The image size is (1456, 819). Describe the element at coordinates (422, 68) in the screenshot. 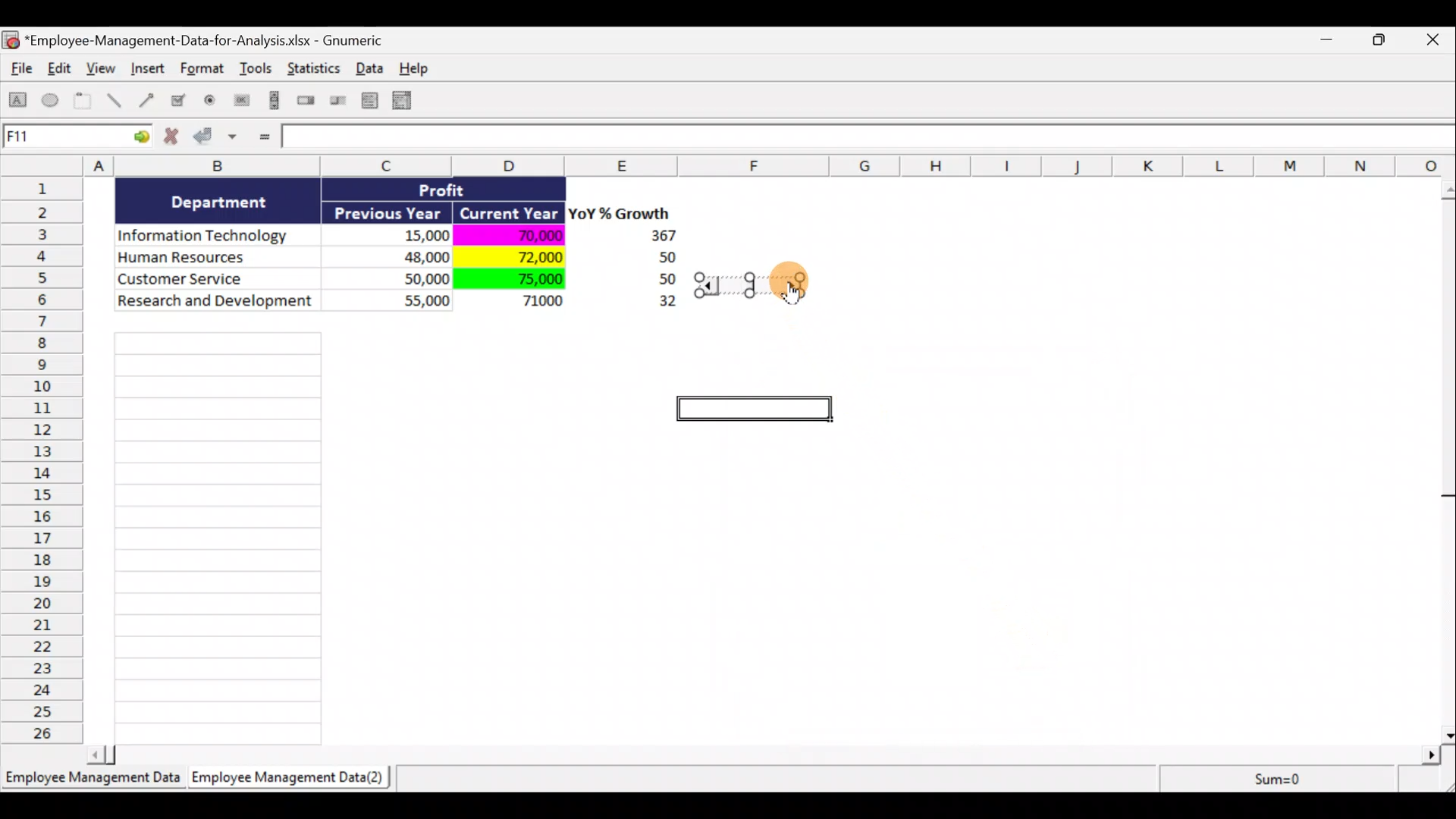

I see `Help` at that location.